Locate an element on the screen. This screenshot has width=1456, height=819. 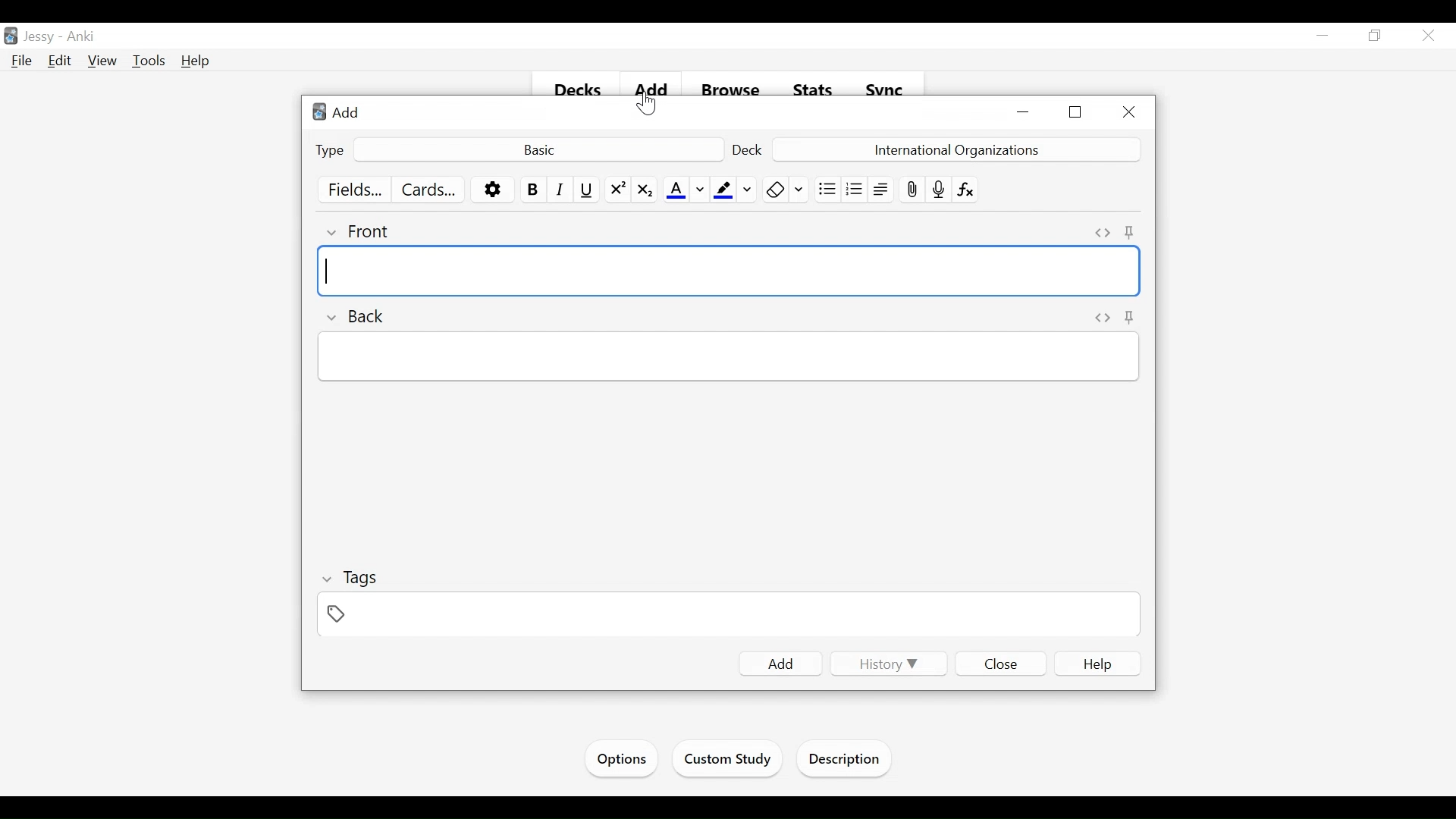
Unordered list is located at coordinates (826, 188).